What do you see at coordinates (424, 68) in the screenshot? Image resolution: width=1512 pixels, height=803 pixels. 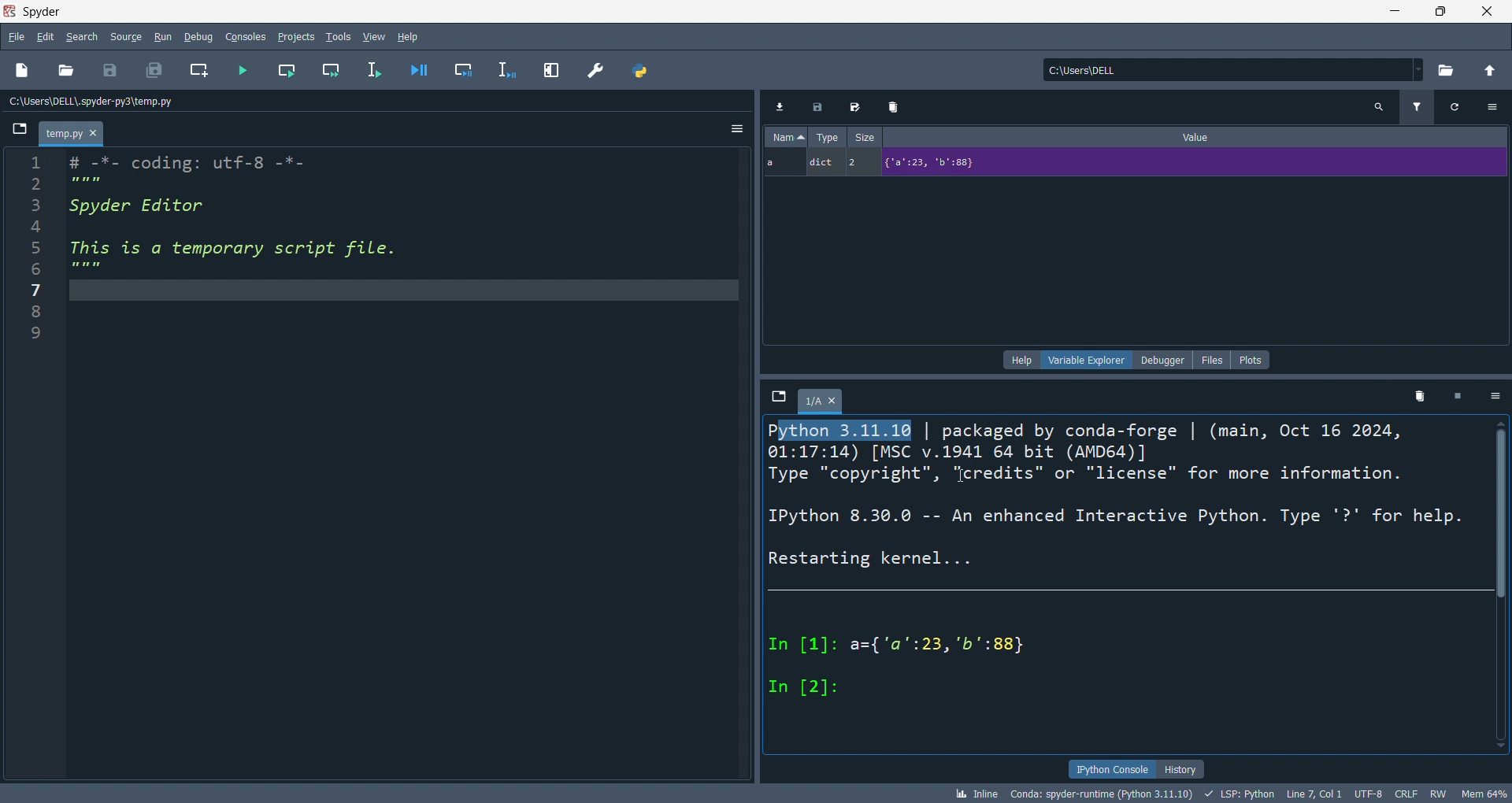 I see `debug file` at bounding box center [424, 68].